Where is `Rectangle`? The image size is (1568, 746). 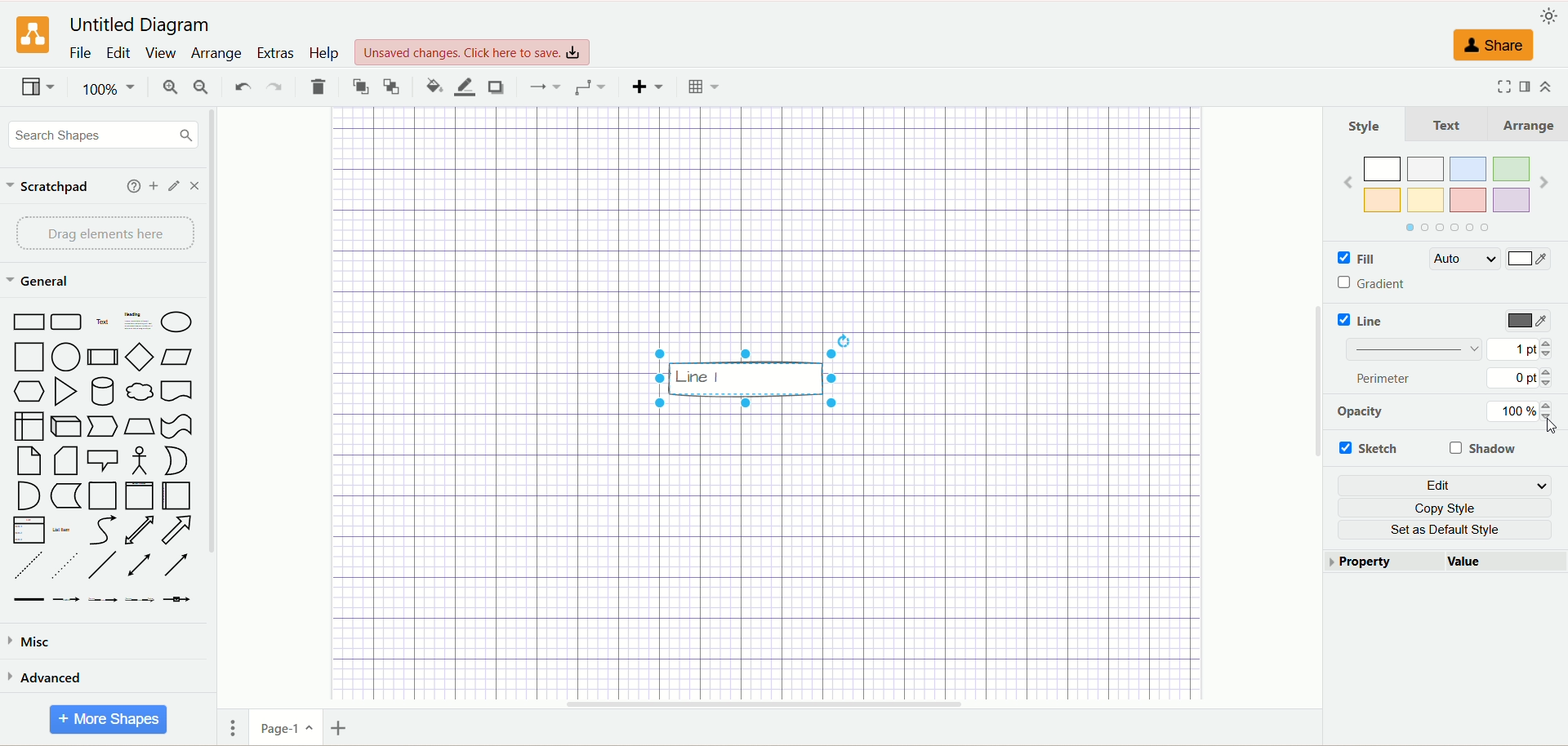 Rectangle is located at coordinates (27, 322).